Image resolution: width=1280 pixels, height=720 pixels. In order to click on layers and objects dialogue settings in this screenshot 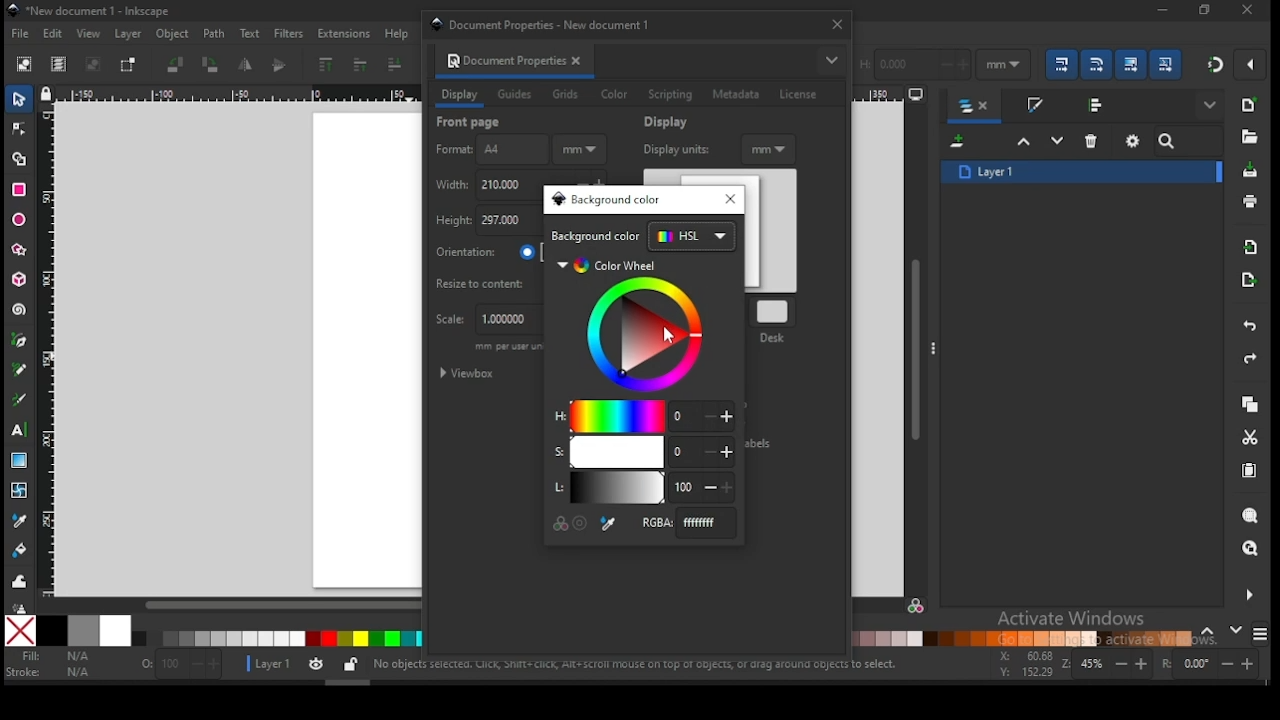, I will do `click(1133, 141)`.